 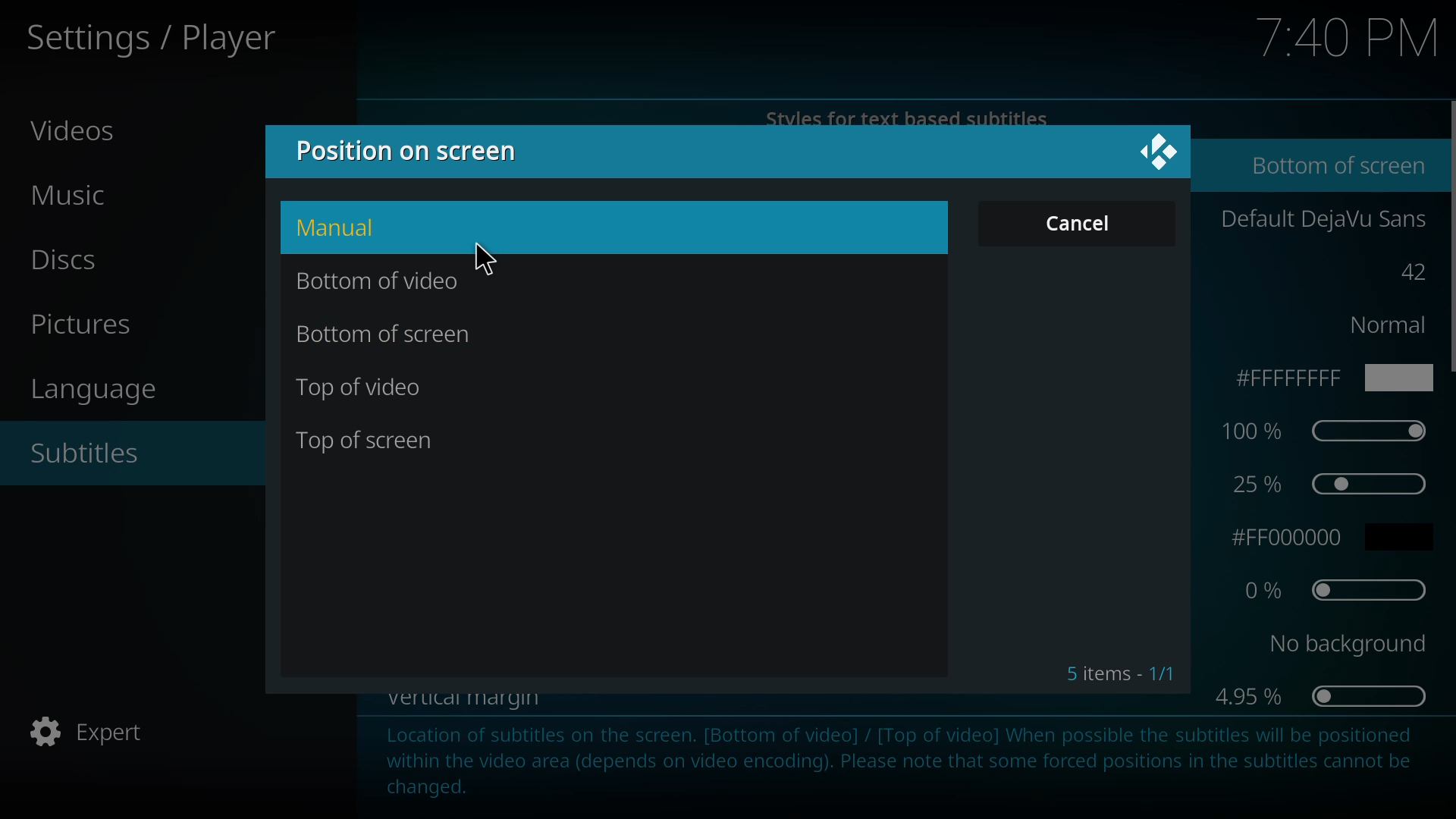 What do you see at coordinates (1335, 588) in the screenshot?
I see `0` at bounding box center [1335, 588].